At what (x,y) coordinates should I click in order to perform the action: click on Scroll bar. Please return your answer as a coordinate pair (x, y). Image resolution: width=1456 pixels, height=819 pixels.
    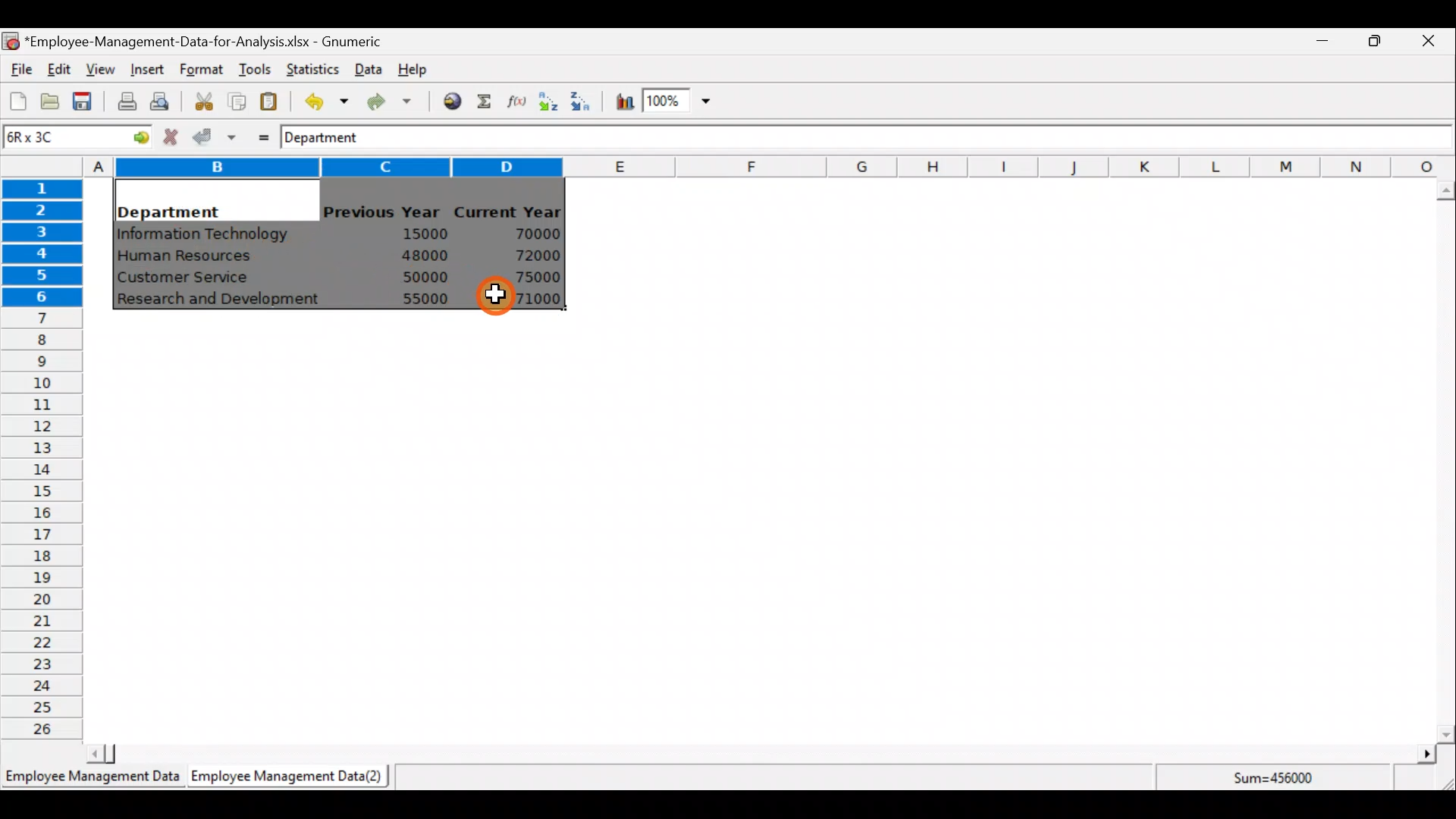
    Looking at the image, I should click on (1445, 462).